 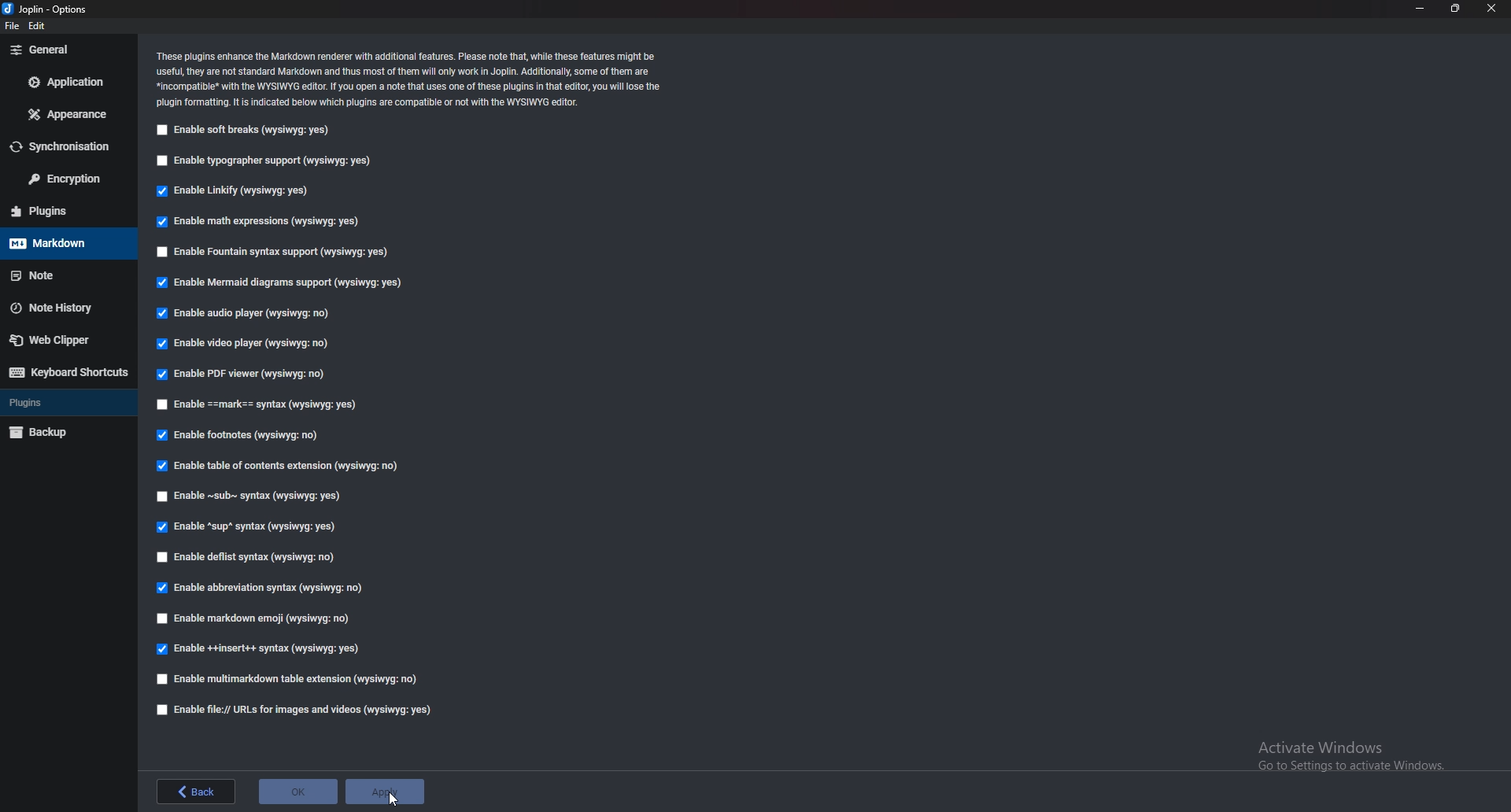 I want to click on Enable multi markdown table extension, so click(x=293, y=678).